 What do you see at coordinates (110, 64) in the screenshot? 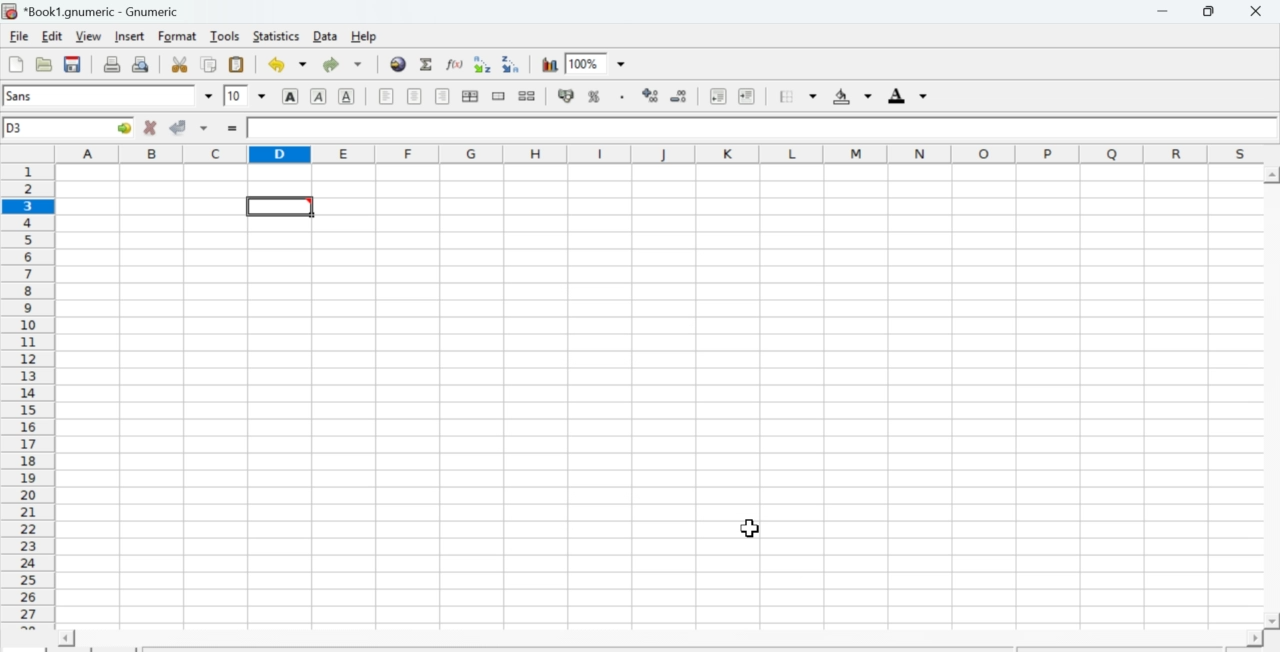
I see `Print` at bounding box center [110, 64].